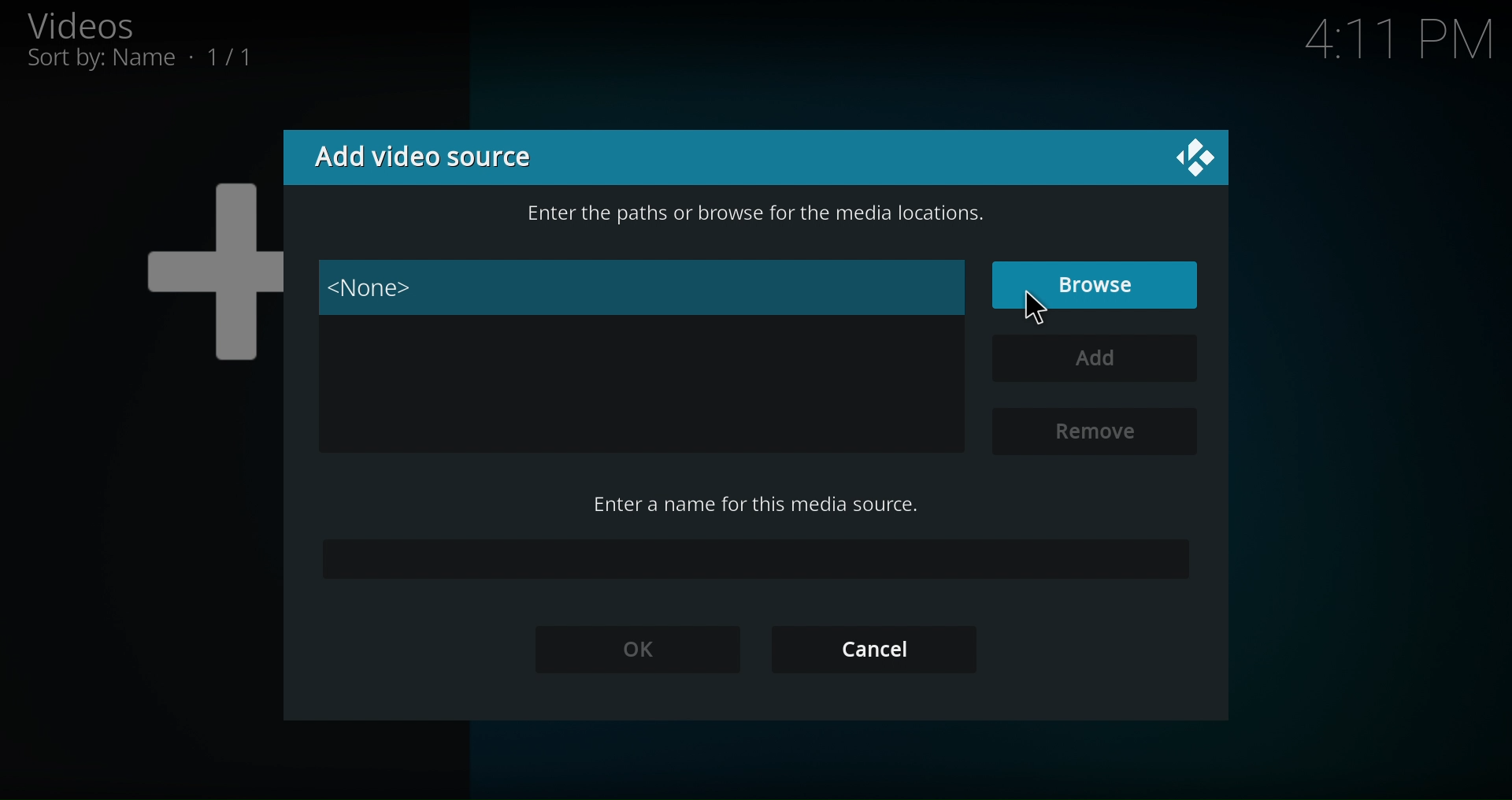 This screenshot has height=800, width=1512. What do you see at coordinates (636, 648) in the screenshot?
I see `OK` at bounding box center [636, 648].